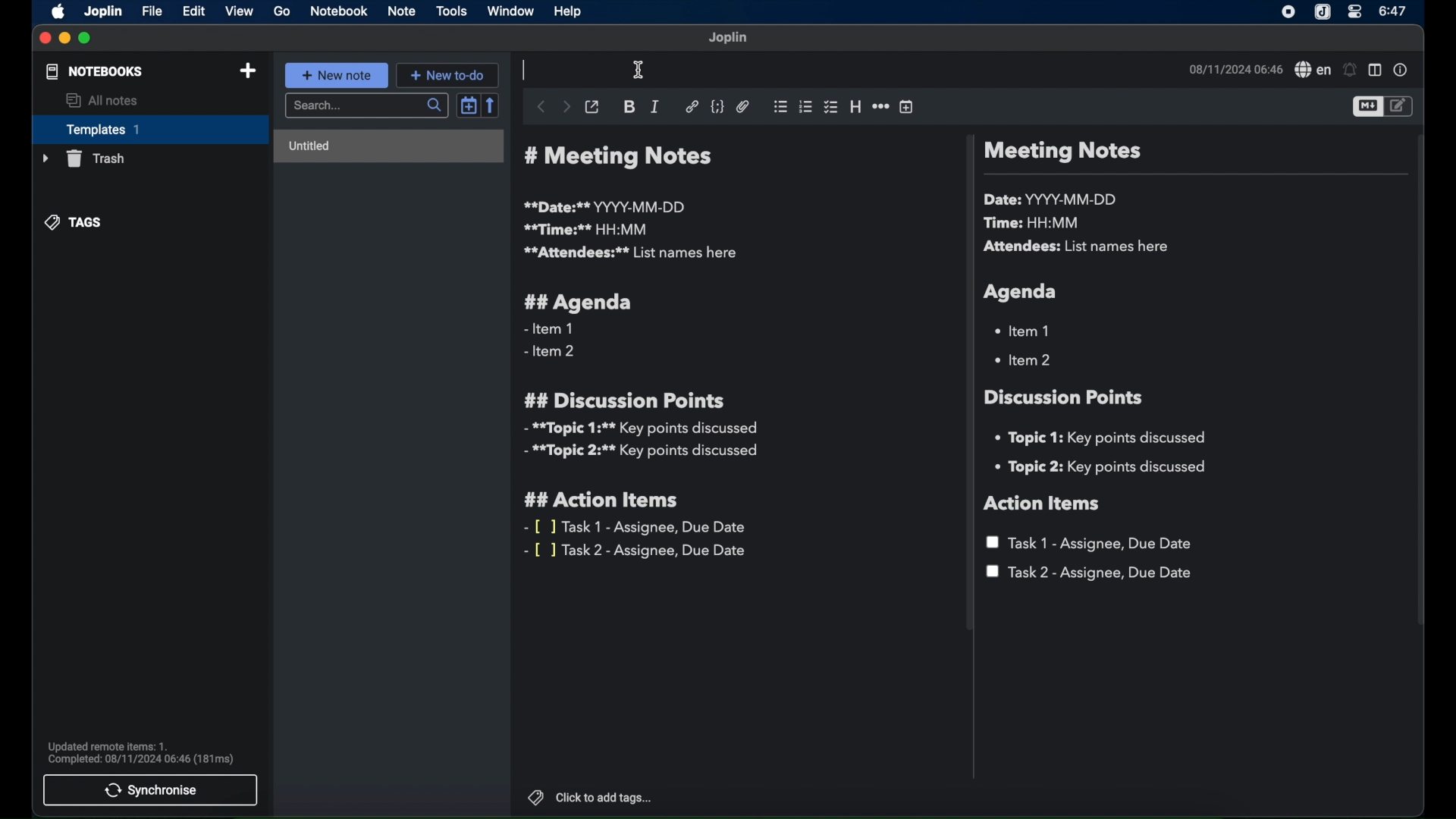 Image resolution: width=1456 pixels, height=819 pixels. I want to click on attach file, so click(743, 107).